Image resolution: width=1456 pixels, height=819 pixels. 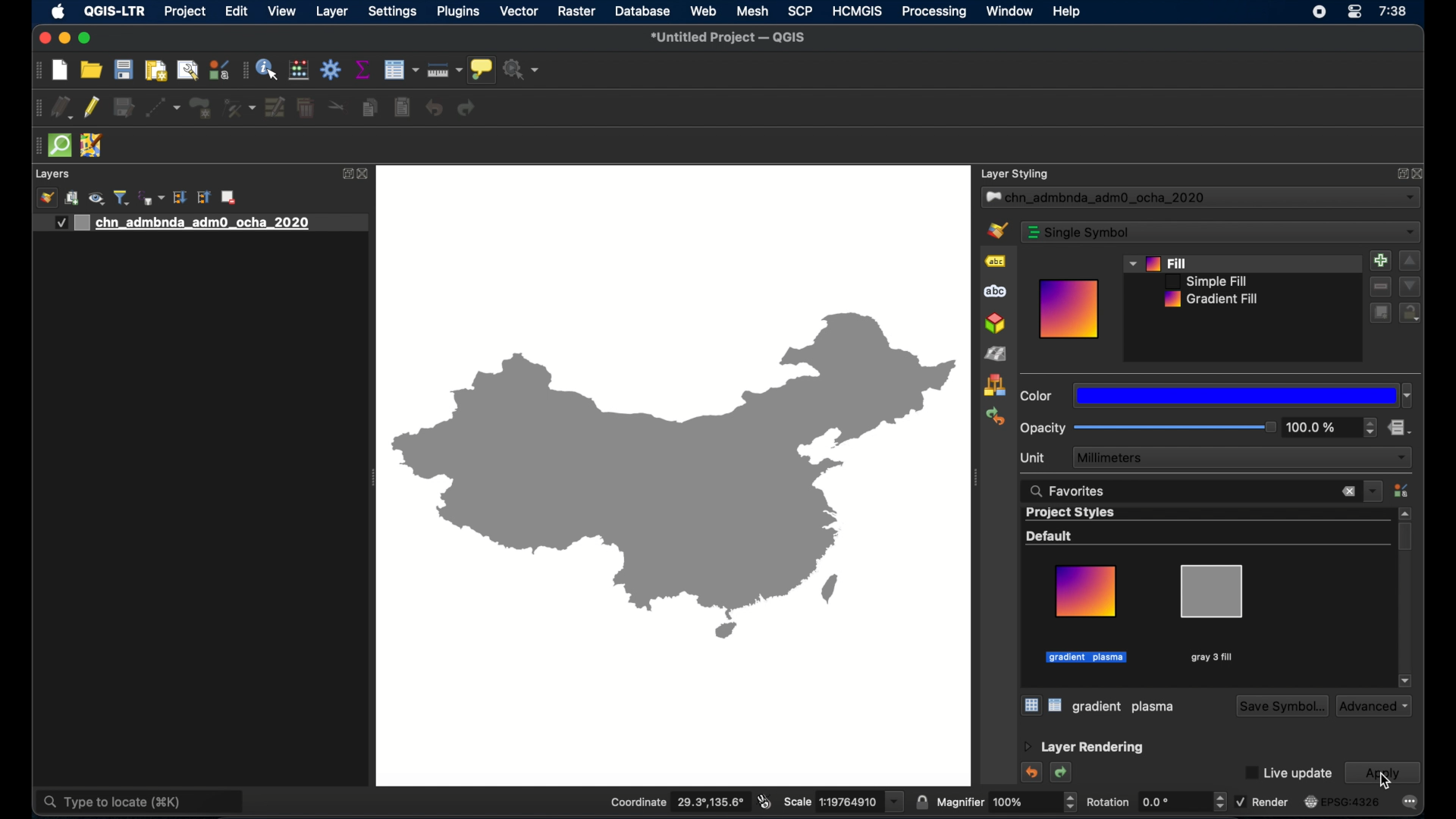 I want to click on vector, so click(x=519, y=11).